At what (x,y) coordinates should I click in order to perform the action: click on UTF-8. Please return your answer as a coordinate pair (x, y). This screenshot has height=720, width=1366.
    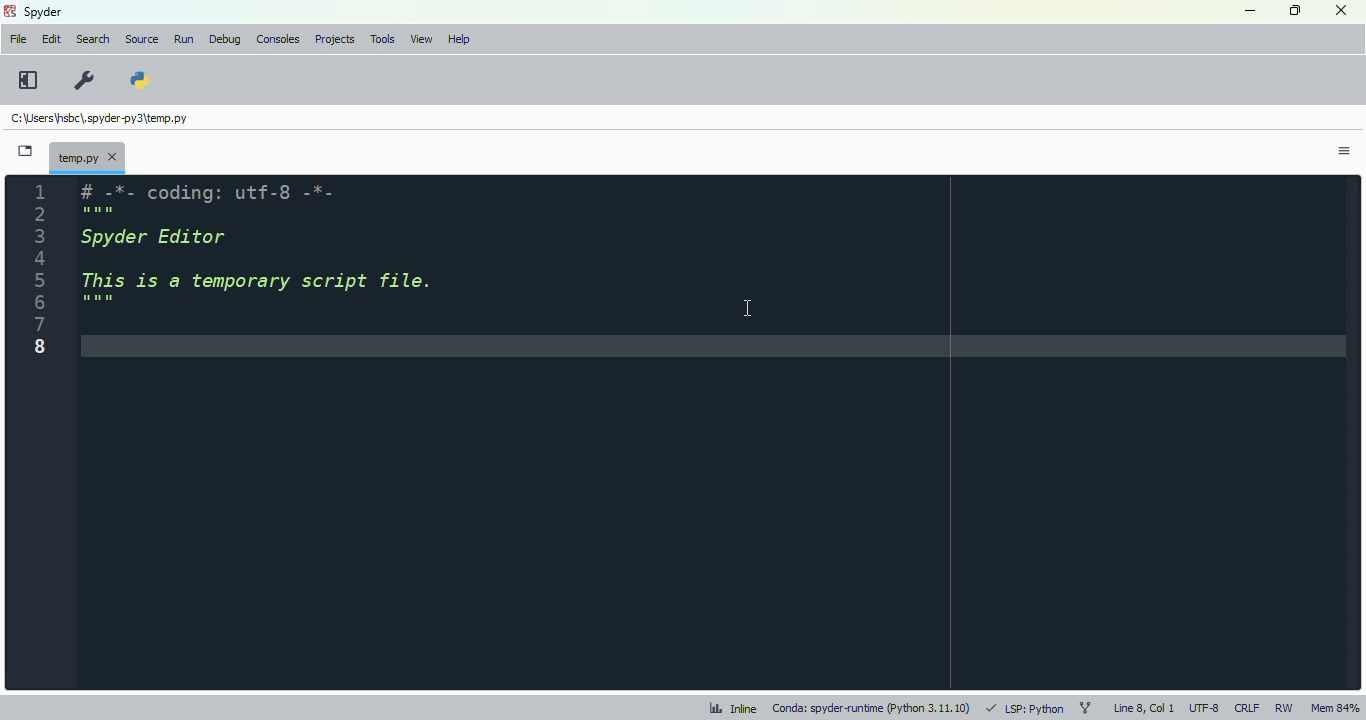
    Looking at the image, I should click on (1205, 708).